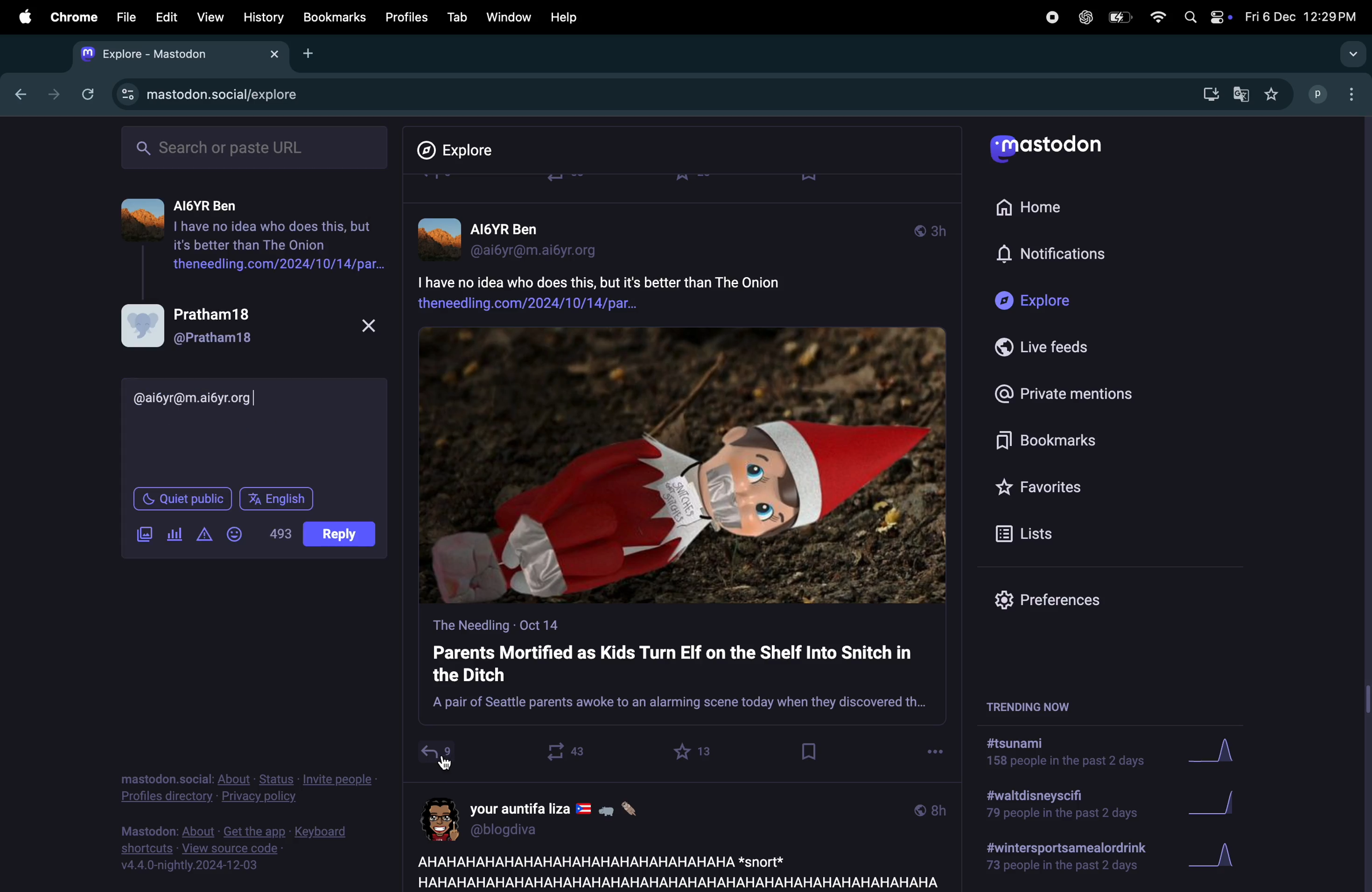 This screenshot has height=892, width=1372. Describe the element at coordinates (1157, 17) in the screenshot. I see `wifi` at that location.